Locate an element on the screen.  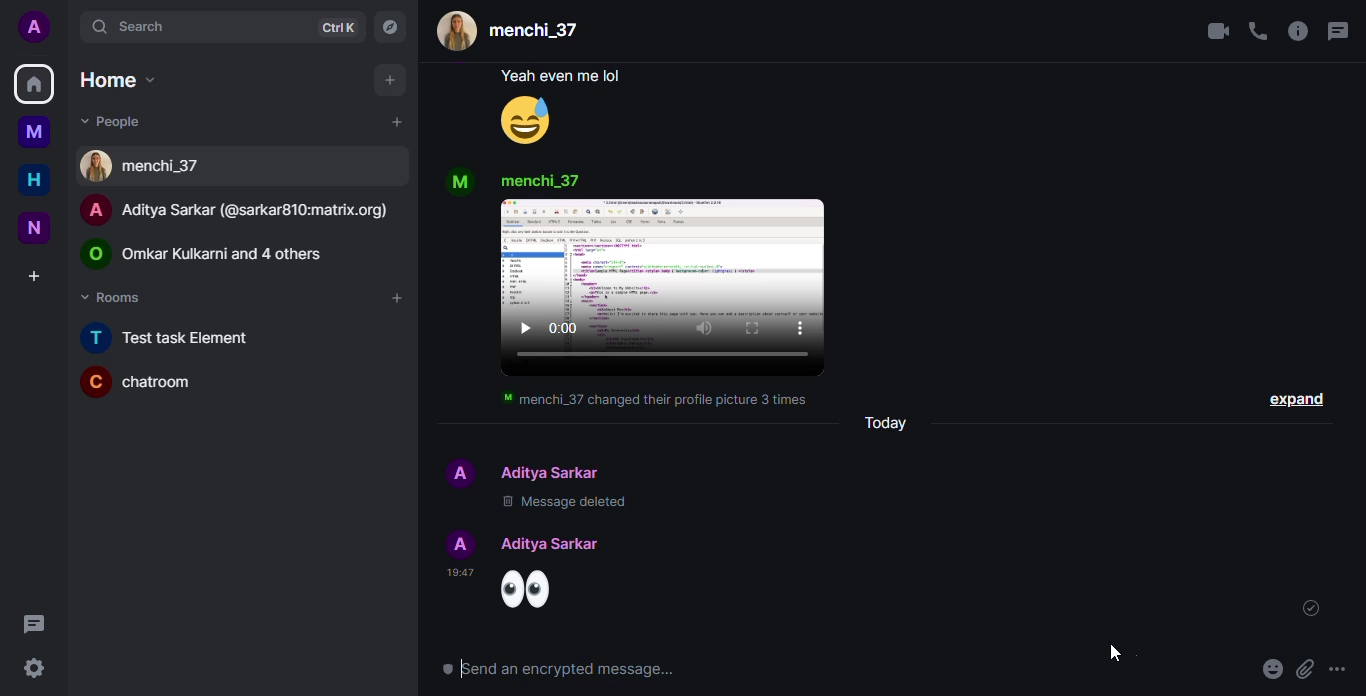
search is located at coordinates (121, 26).